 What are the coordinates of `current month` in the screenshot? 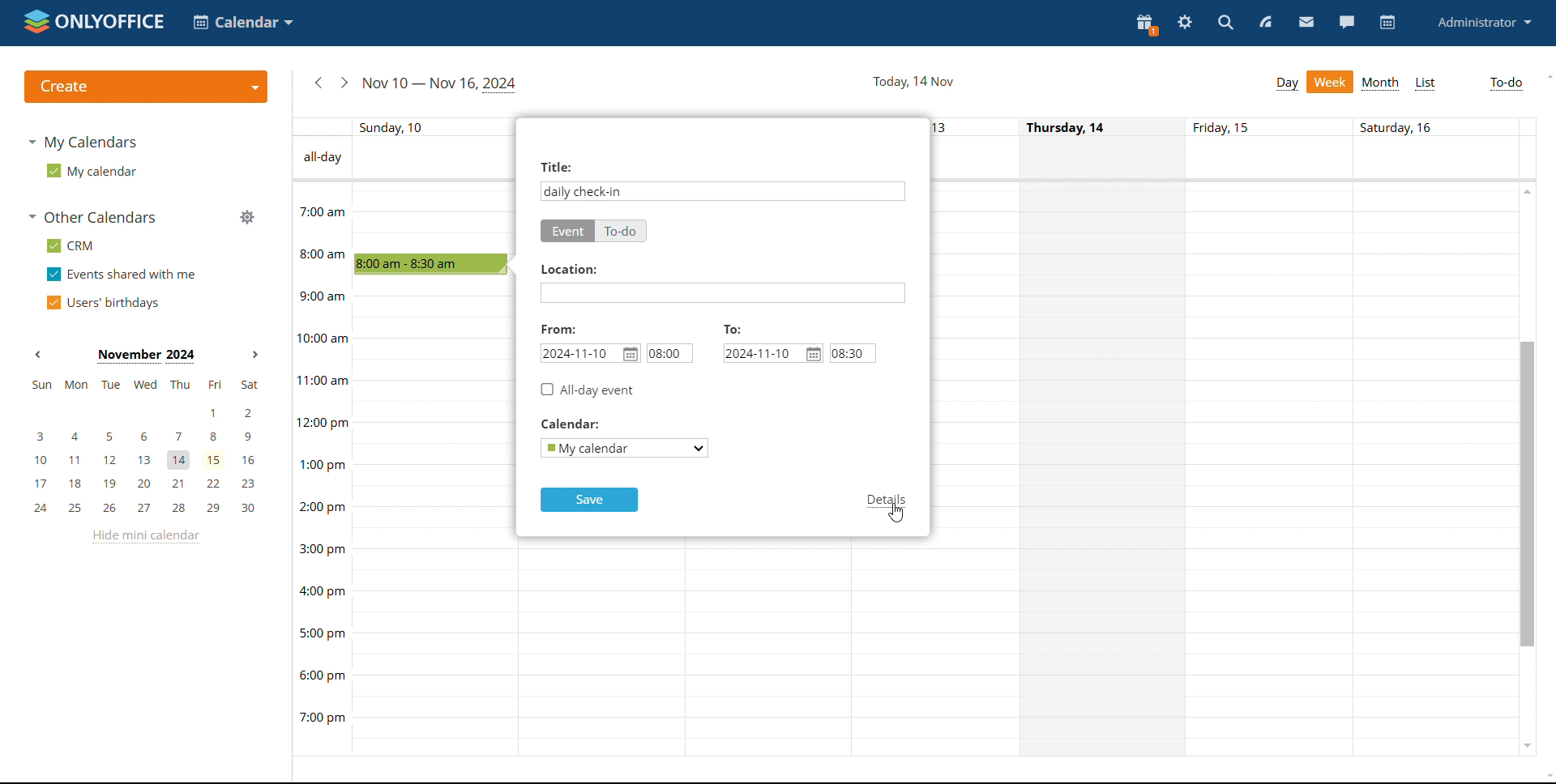 It's located at (144, 355).